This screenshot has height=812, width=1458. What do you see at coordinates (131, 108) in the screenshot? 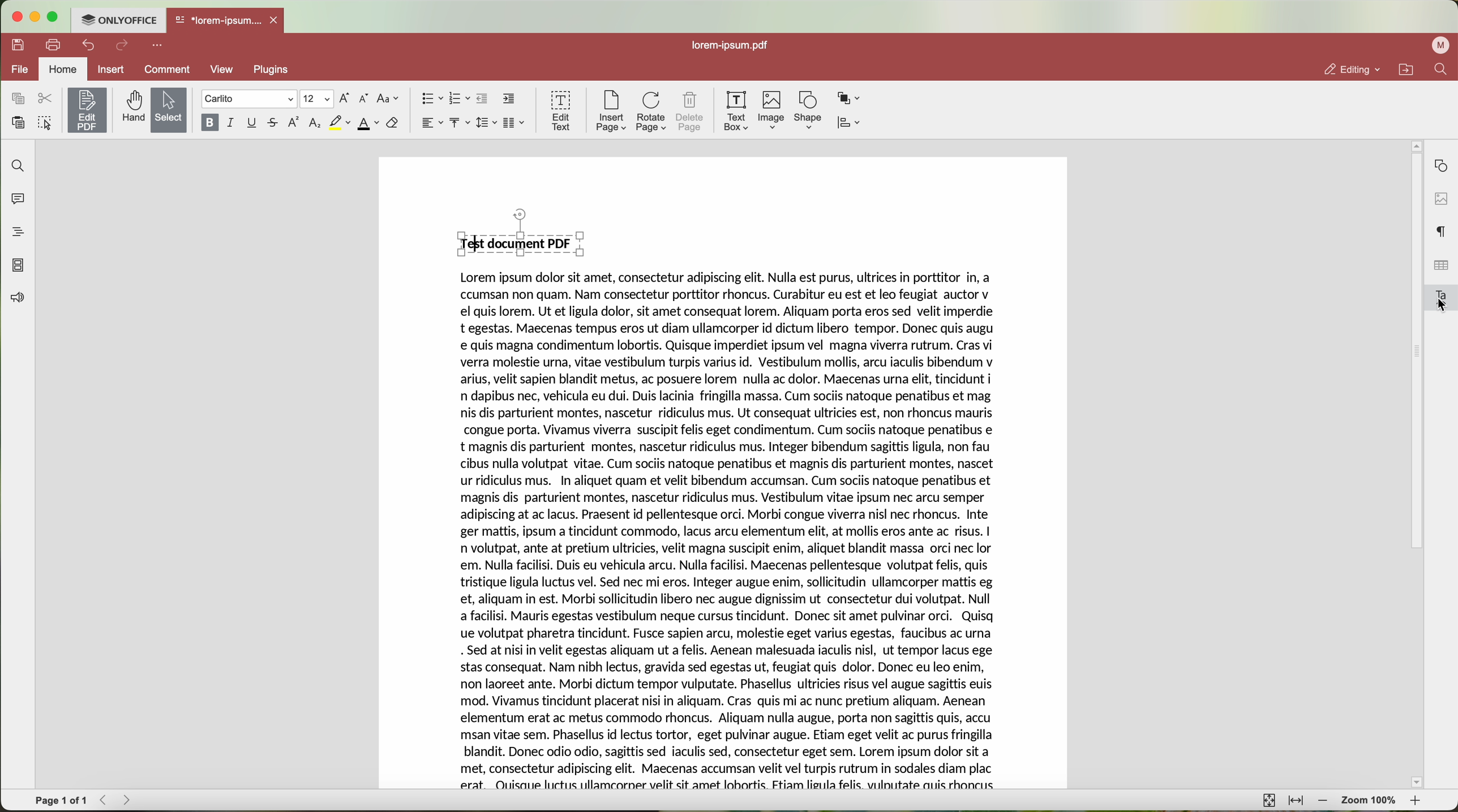
I see `hand` at bounding box center [131, 108].